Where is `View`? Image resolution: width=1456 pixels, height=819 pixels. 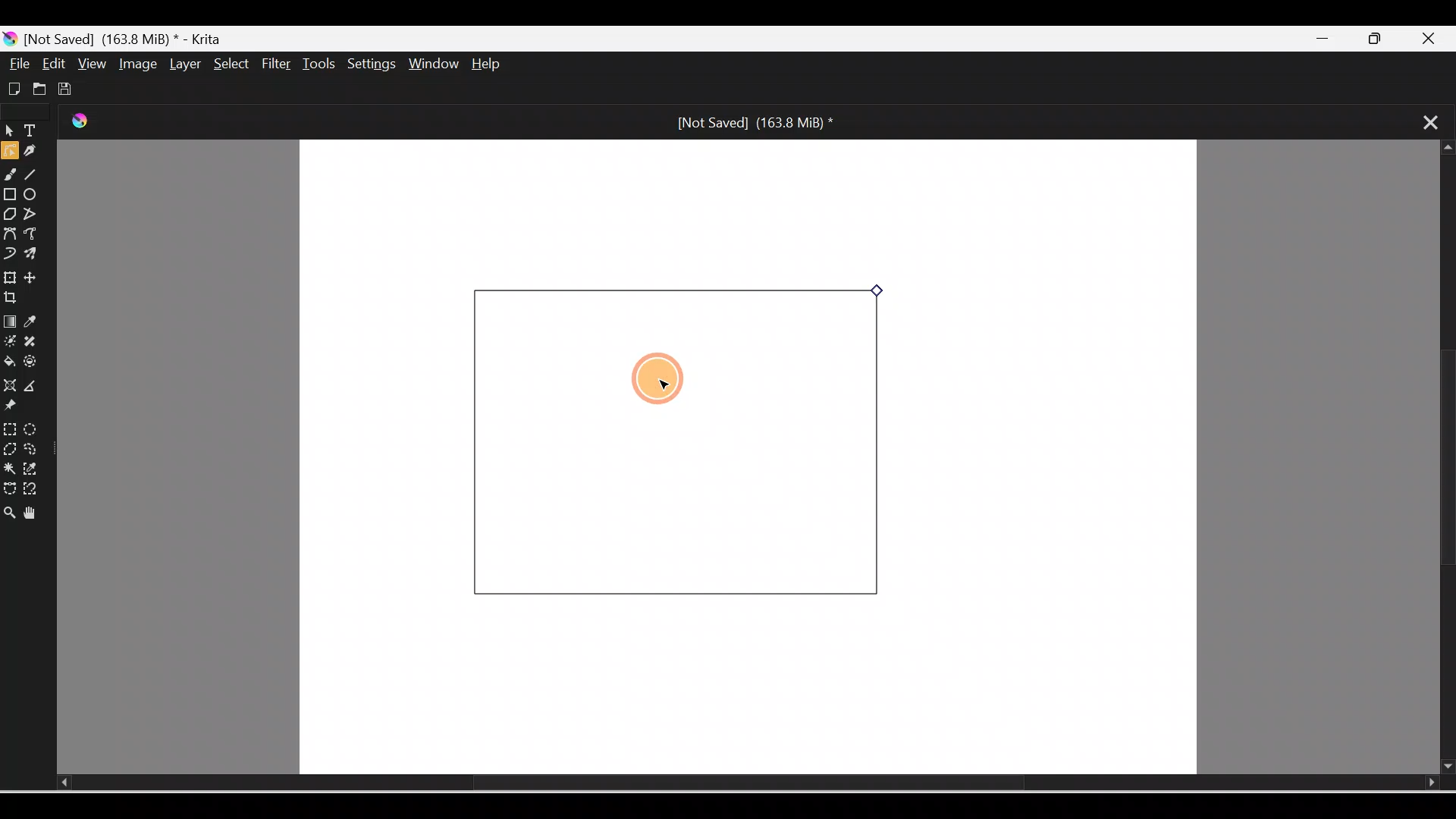 View is located at coordinates (89, 63).